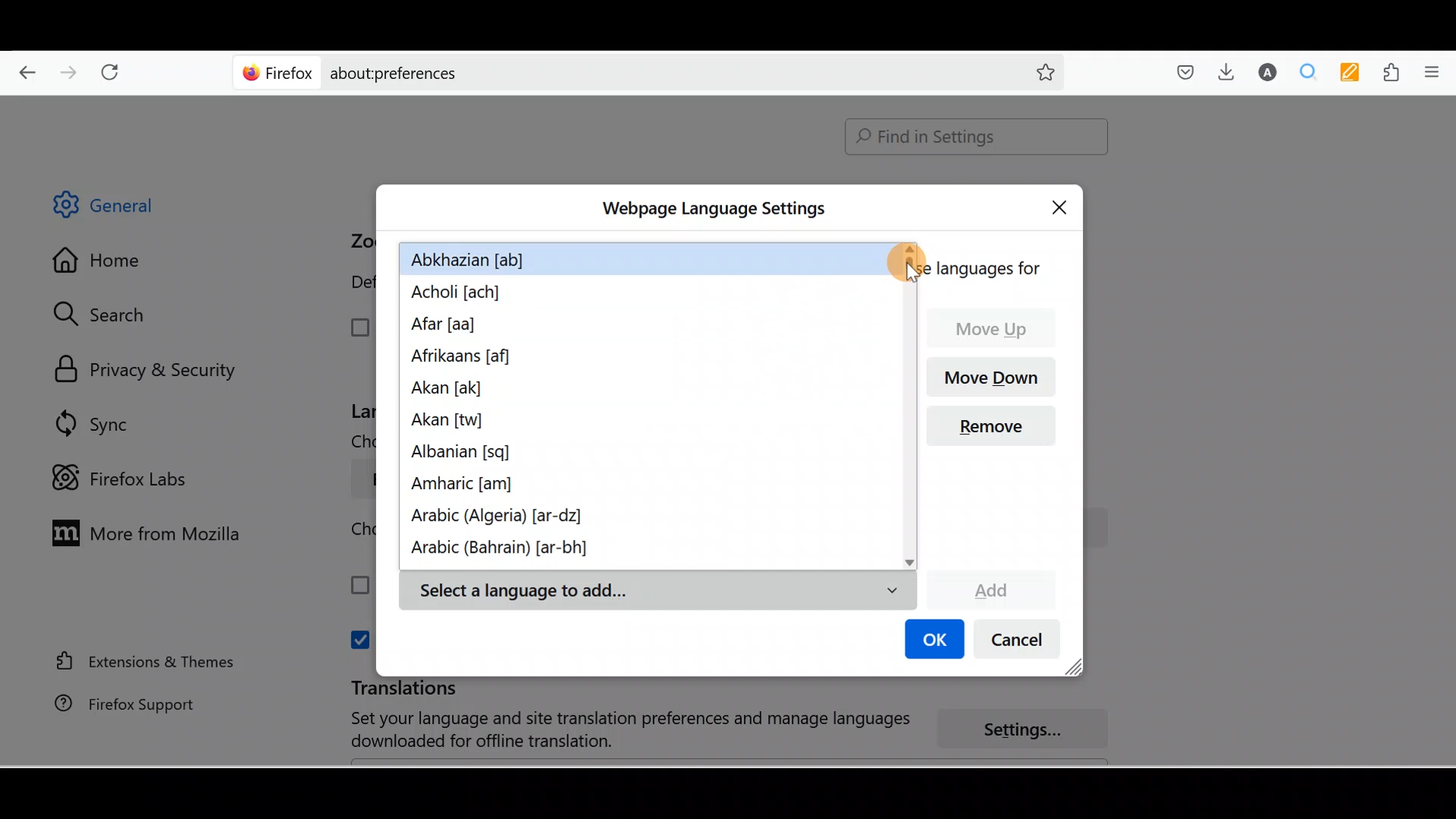 The image size is (1456, 819). Describe the element at coordinates (502, 518) in the screenshot. I see `Arabic (Algeria) [ar-dz]` at that location.